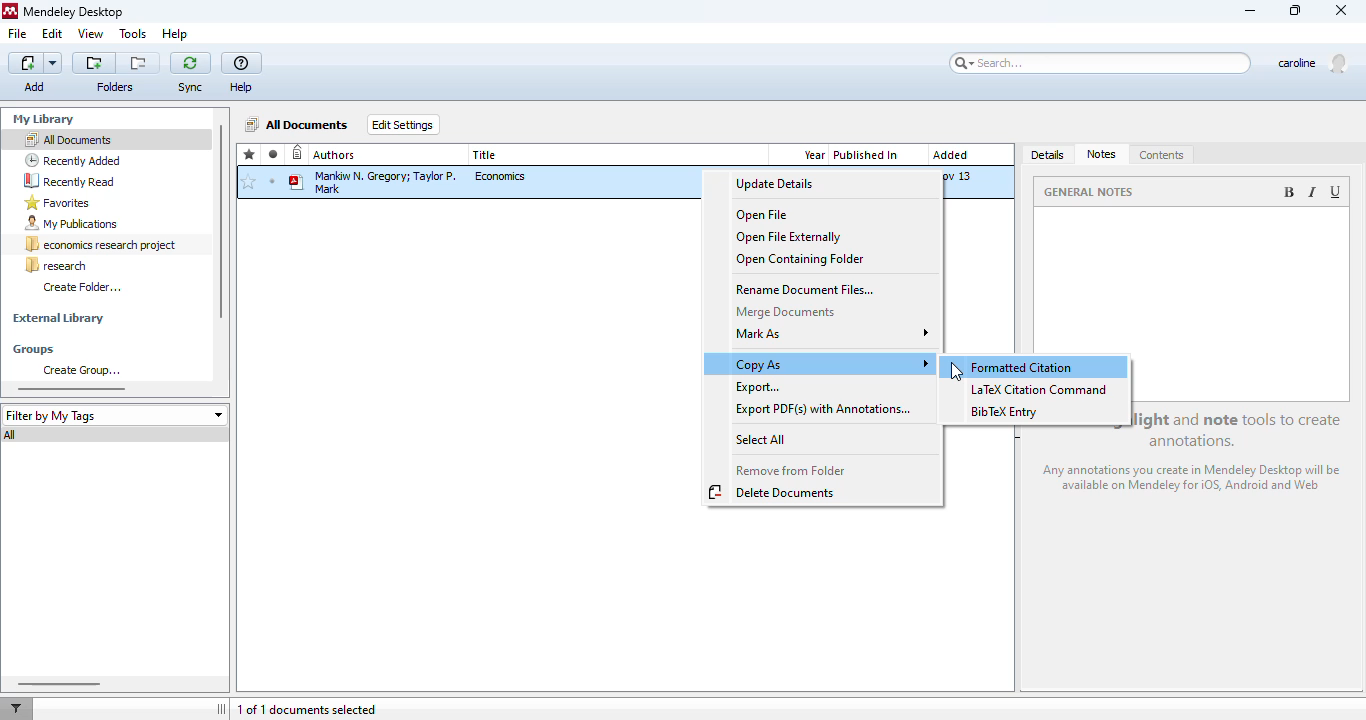 This screenshot has width=1366, height=720. What do you see at coordinates (298, 154) in the screenshot?
I see `recently added` at bounding box center [298, 154].